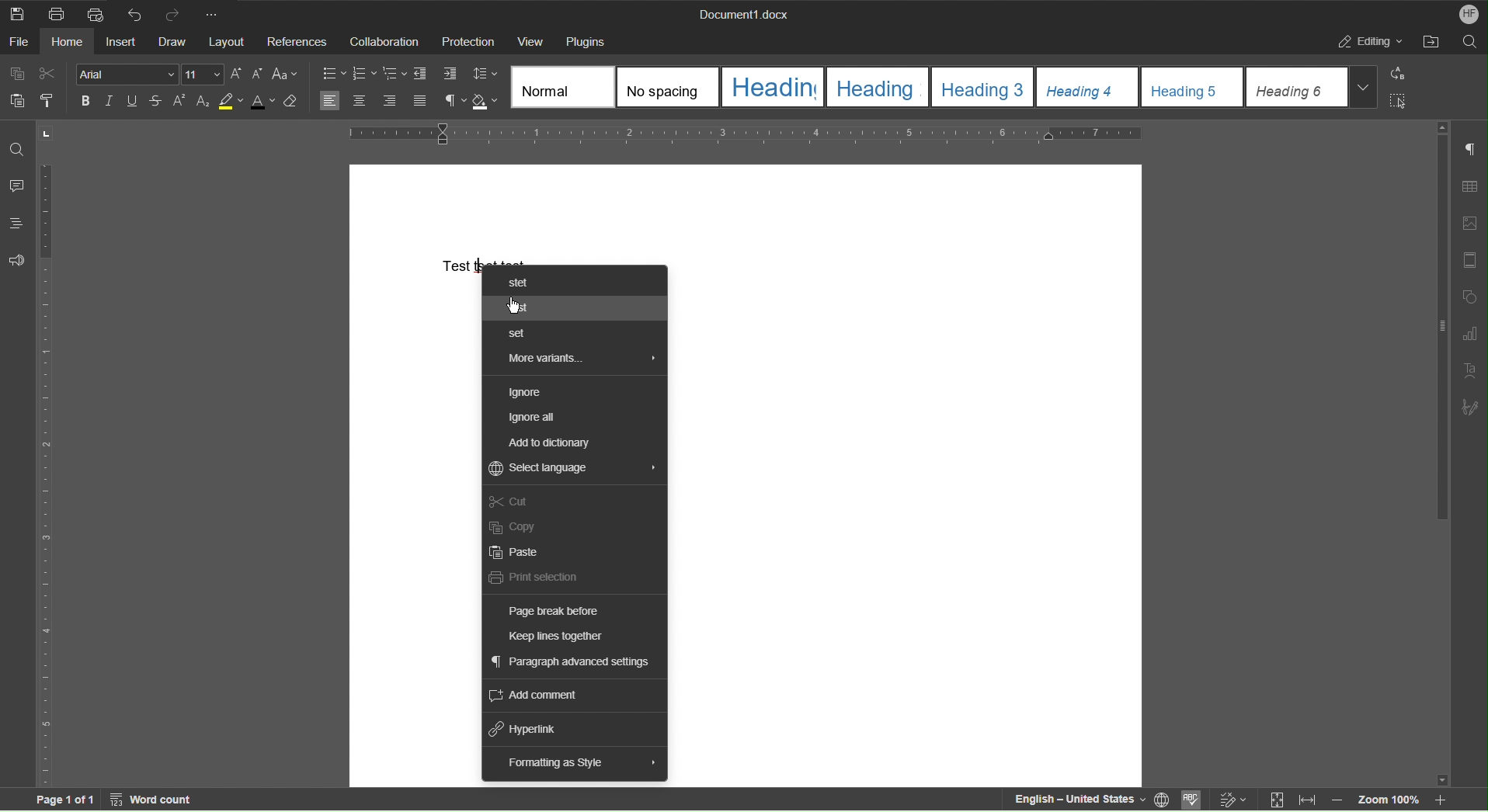  What do you see at coordinates (1469, 226) in the screenshot?
I see `Image Settings` at bounding box center [1469, 226].